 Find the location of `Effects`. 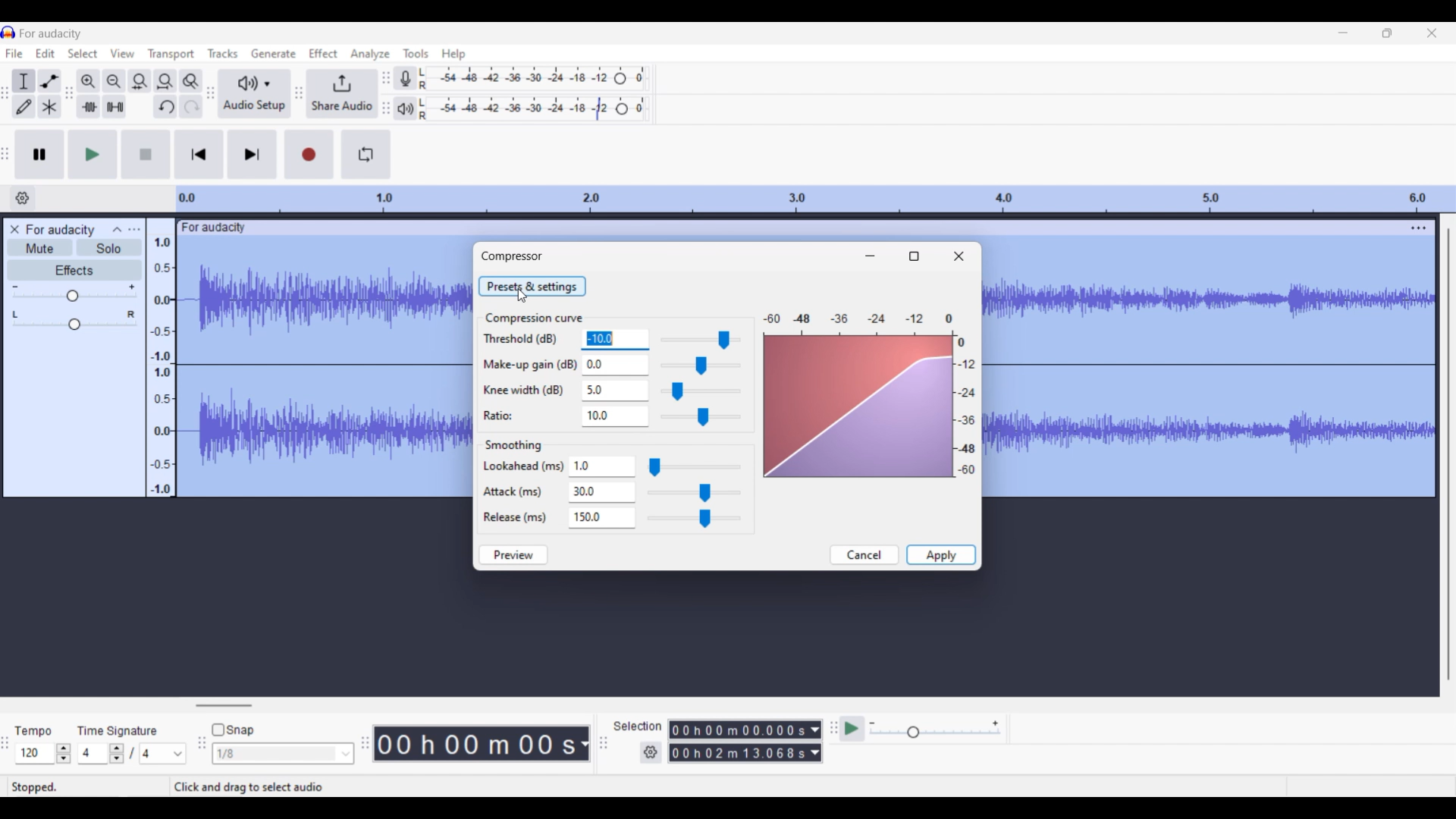

Effects is located at coordinates (74, 270).